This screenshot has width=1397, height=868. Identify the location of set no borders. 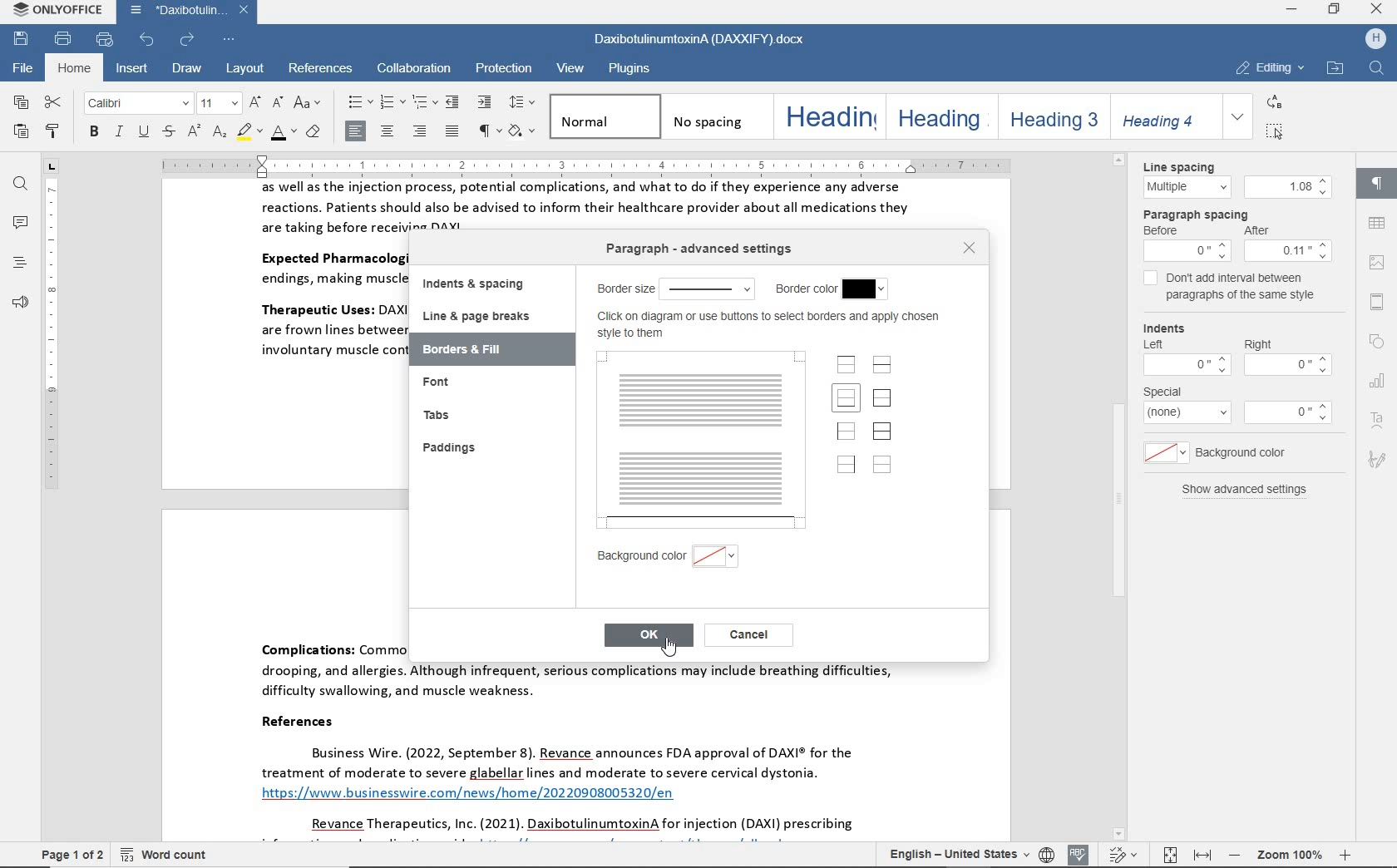
(883, 464).